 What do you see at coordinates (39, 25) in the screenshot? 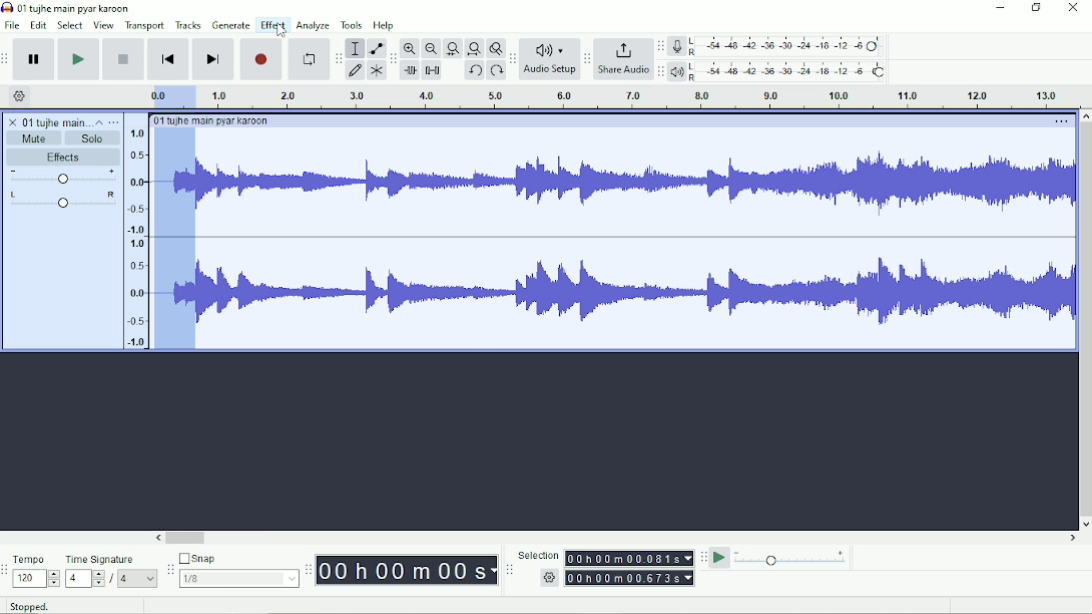
I see `Edit` at bounding box center [39, 25].